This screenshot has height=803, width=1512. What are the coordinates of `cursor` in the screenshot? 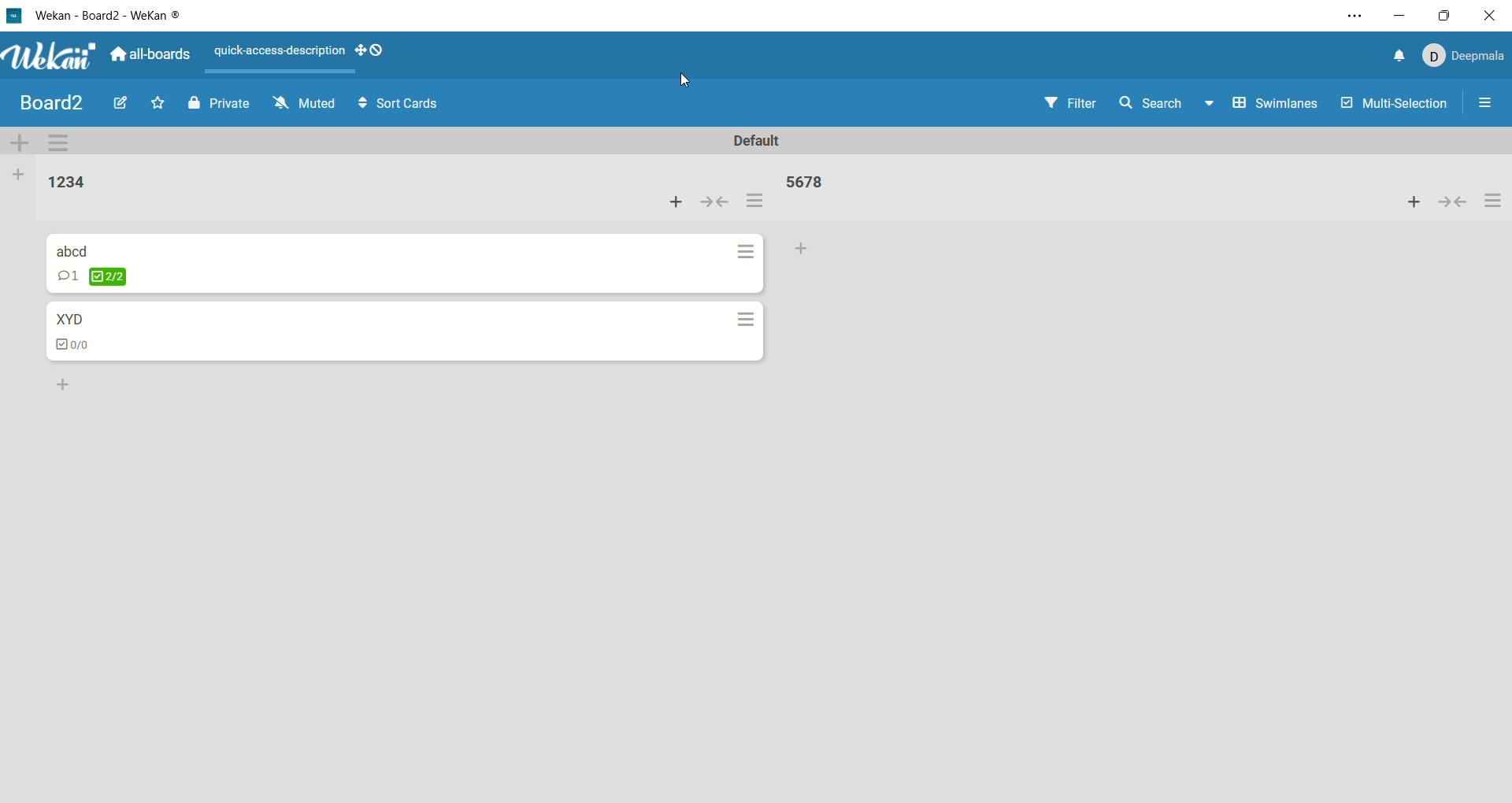 It's located at (688, 81).